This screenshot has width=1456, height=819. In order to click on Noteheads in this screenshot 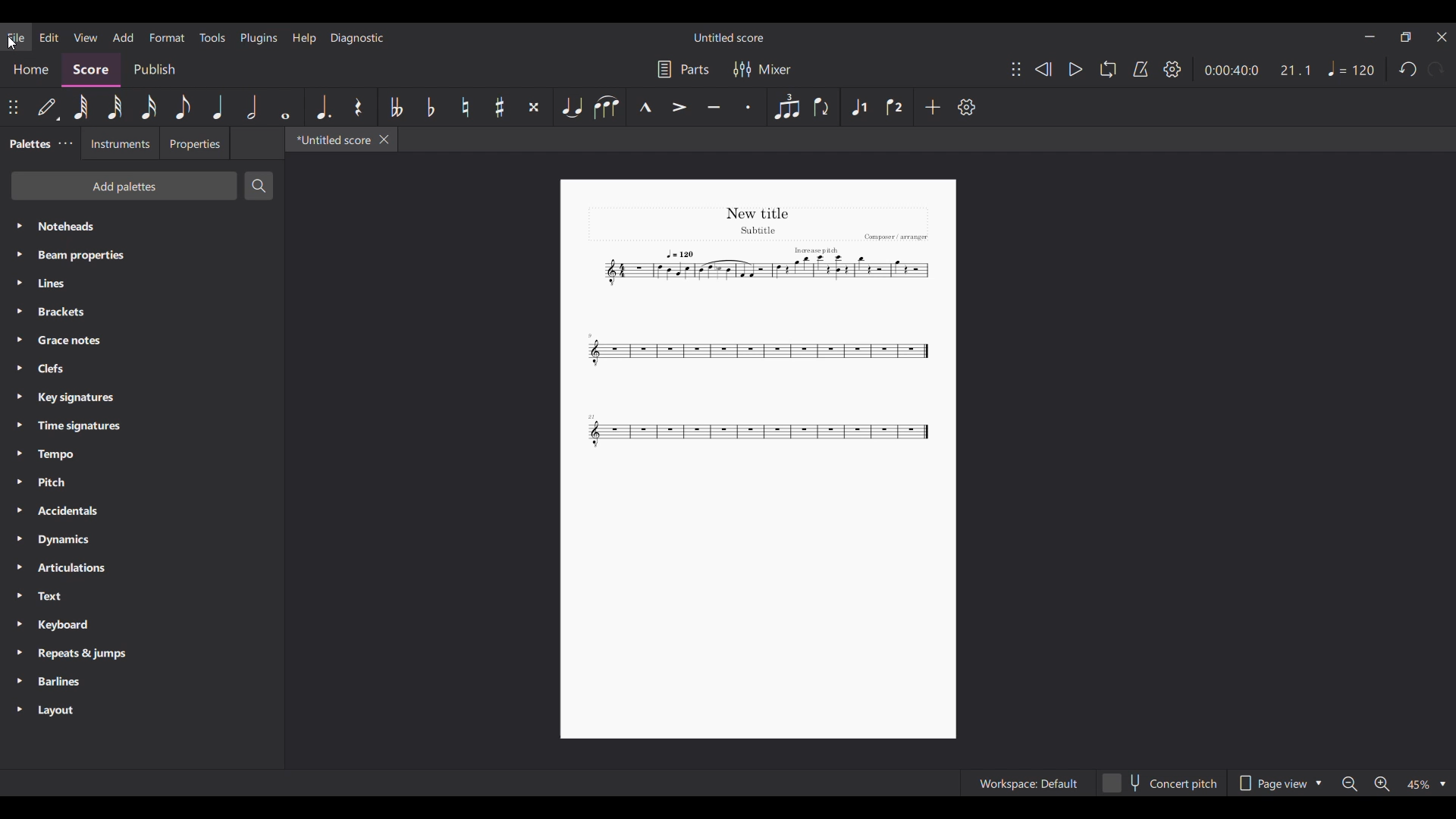, I will do `click(143, 226)`.